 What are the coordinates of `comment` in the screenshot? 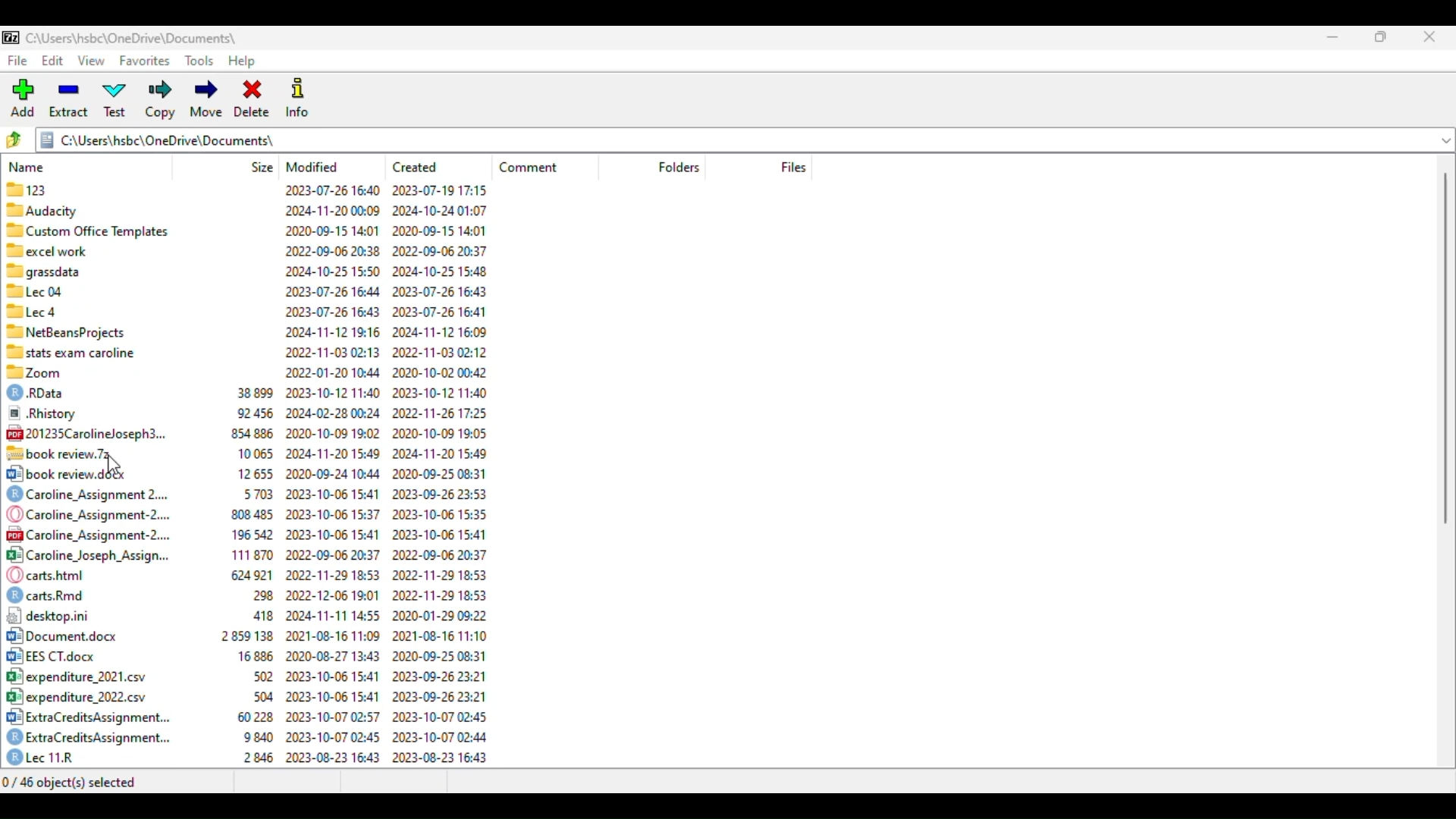 It's located at (529, 168).